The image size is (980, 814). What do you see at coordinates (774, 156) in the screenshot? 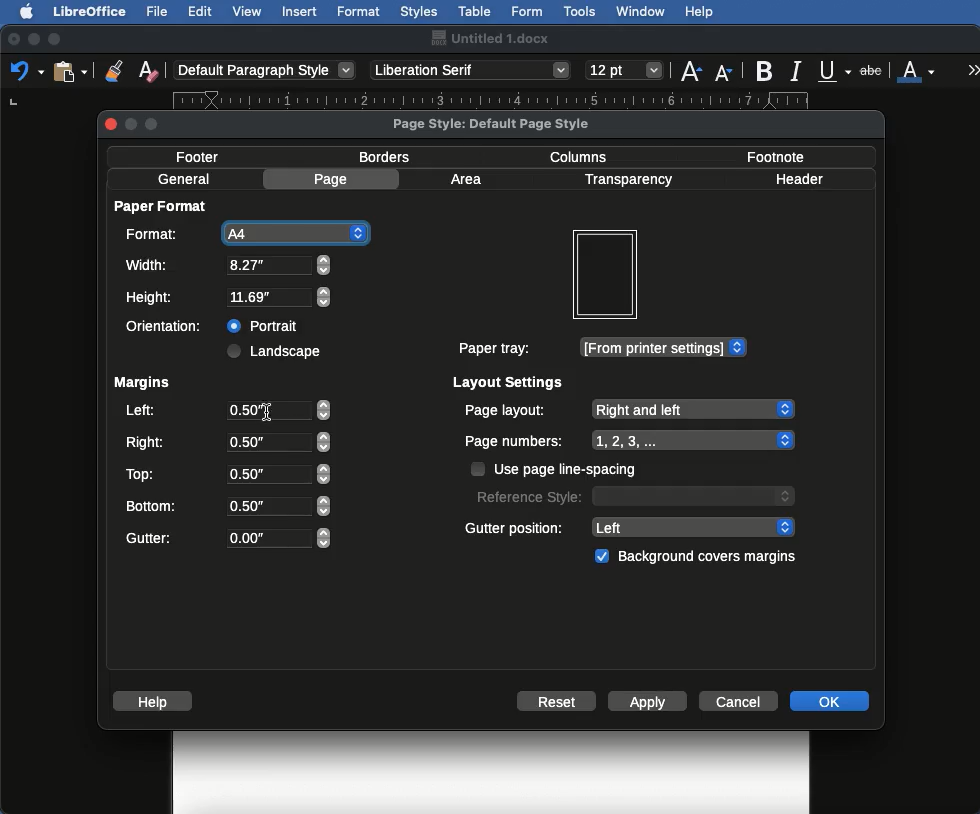
I see `Footnote` at bounding box center [774, 156].